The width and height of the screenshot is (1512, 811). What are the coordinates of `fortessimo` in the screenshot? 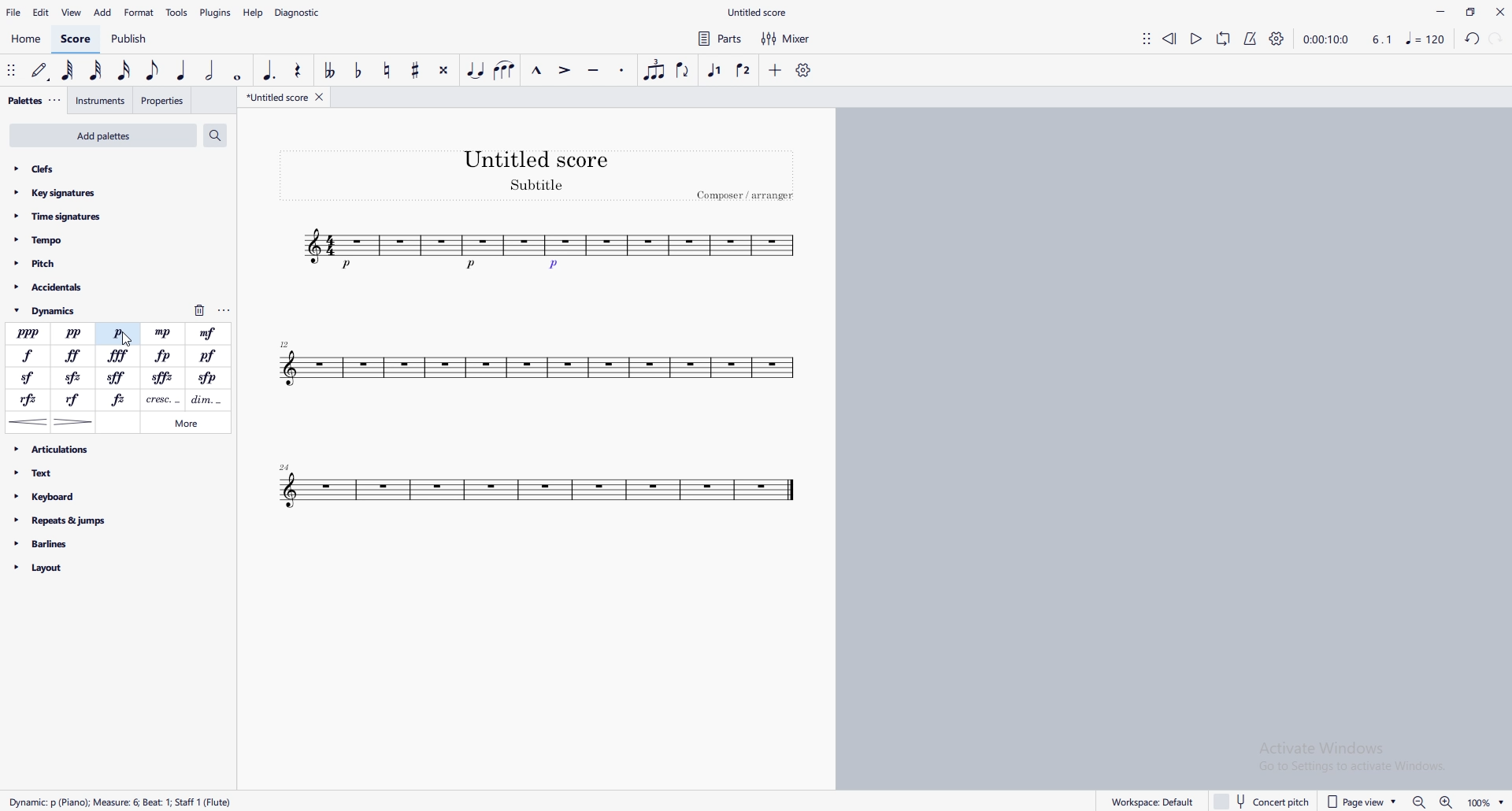 It's located at (74, 356).